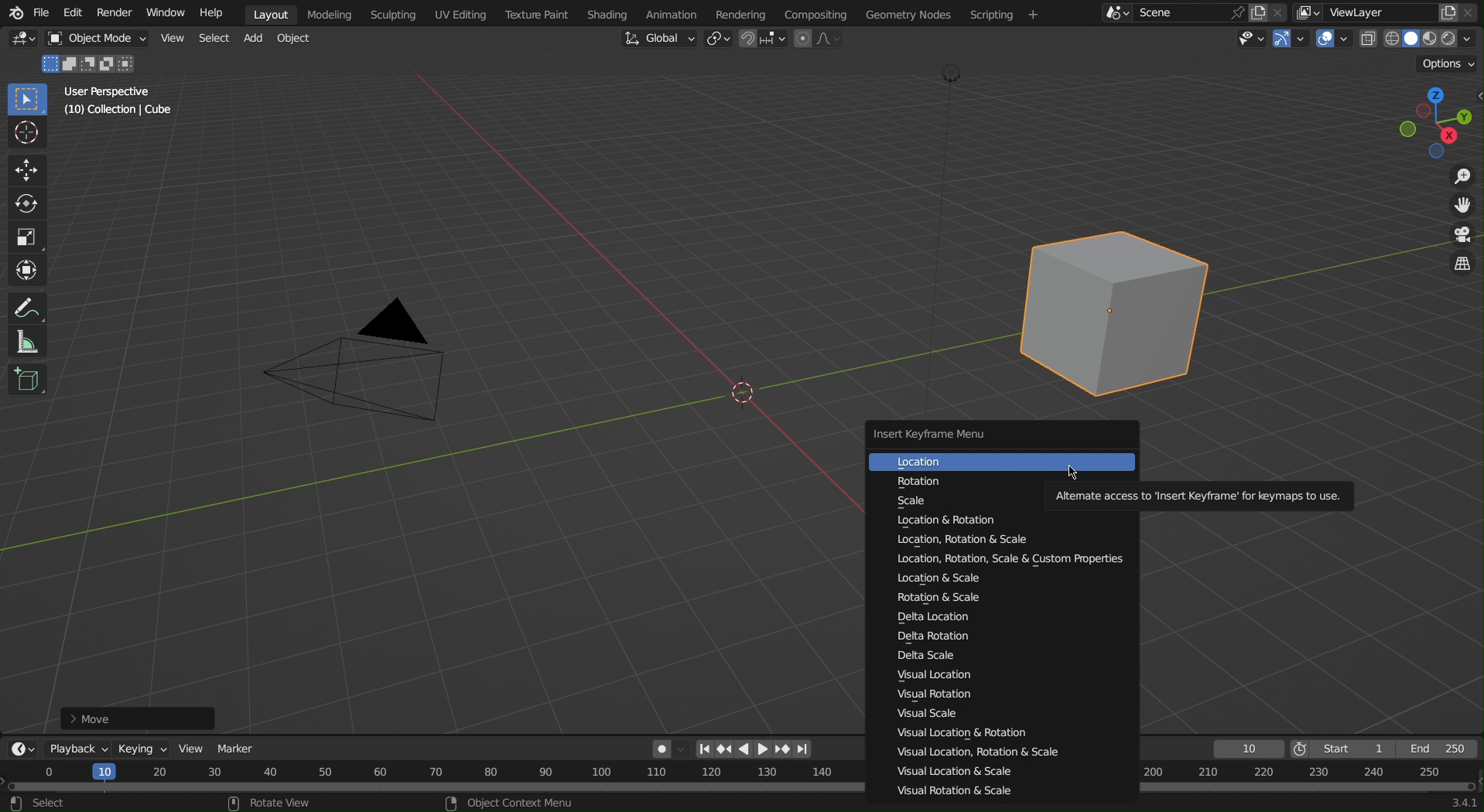  What do you see at coordinates (365, 370) in the screenshot?
I see `Camera` at bounding box center [365, 370].